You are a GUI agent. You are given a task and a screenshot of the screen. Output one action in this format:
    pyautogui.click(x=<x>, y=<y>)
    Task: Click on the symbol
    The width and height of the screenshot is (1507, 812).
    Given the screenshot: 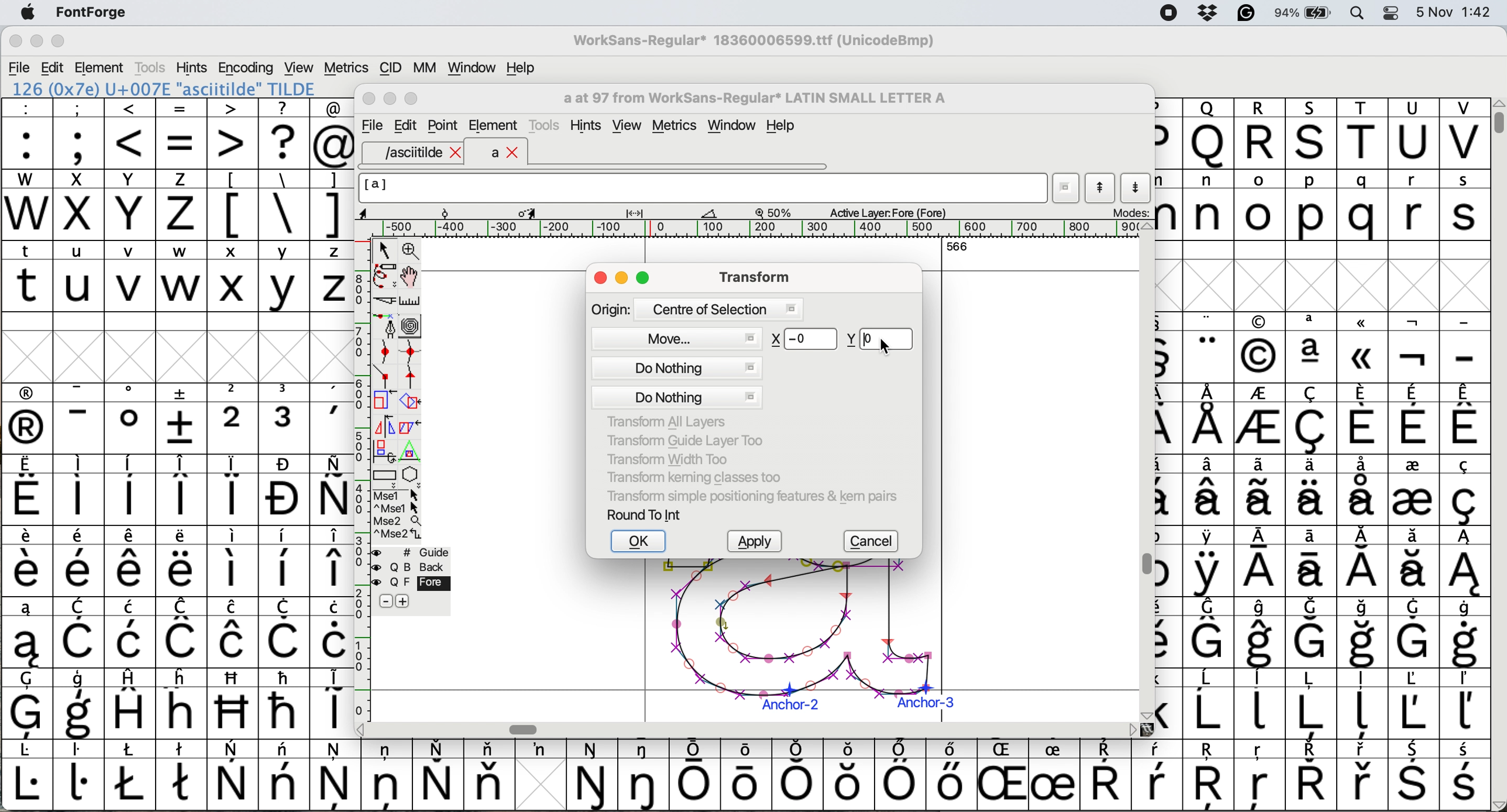 What is the action you would take?
    pyautogui.click(x=1466, y=776)
    